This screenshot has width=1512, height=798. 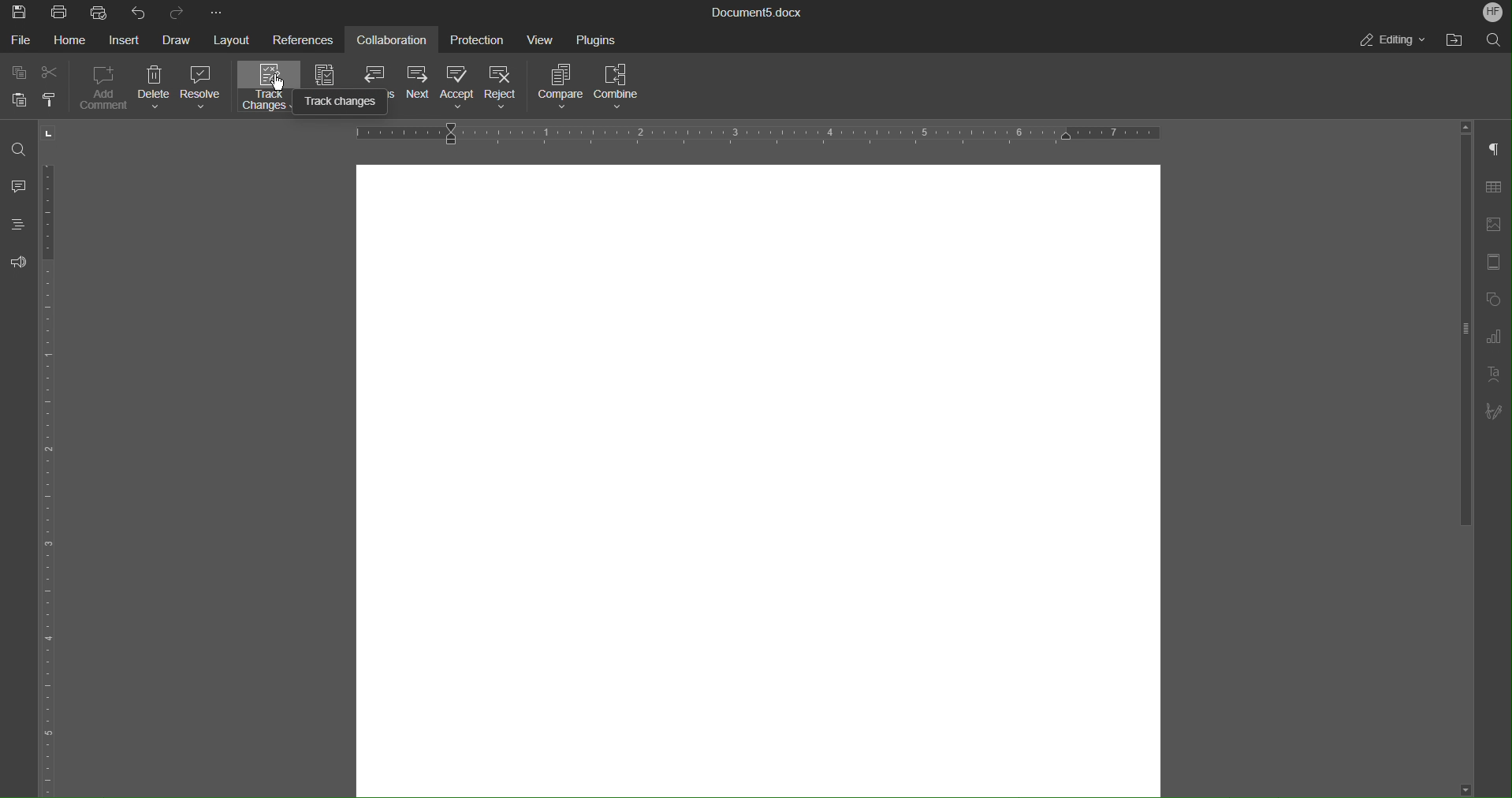 I want to click on Redo, so click(x=175, y=10).